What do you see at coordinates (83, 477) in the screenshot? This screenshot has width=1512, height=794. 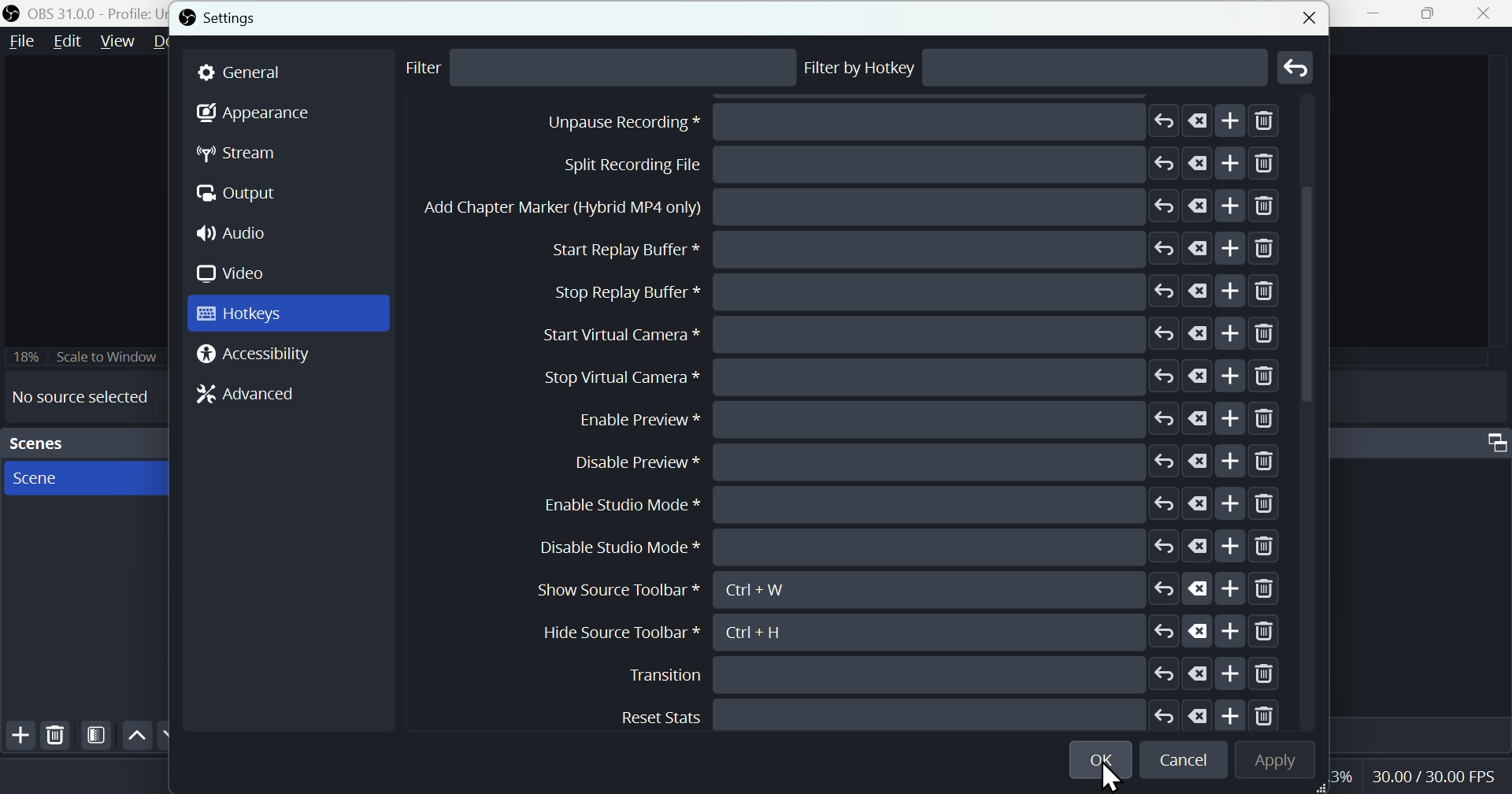 I see `scenes` at bounding box center [83, 477].